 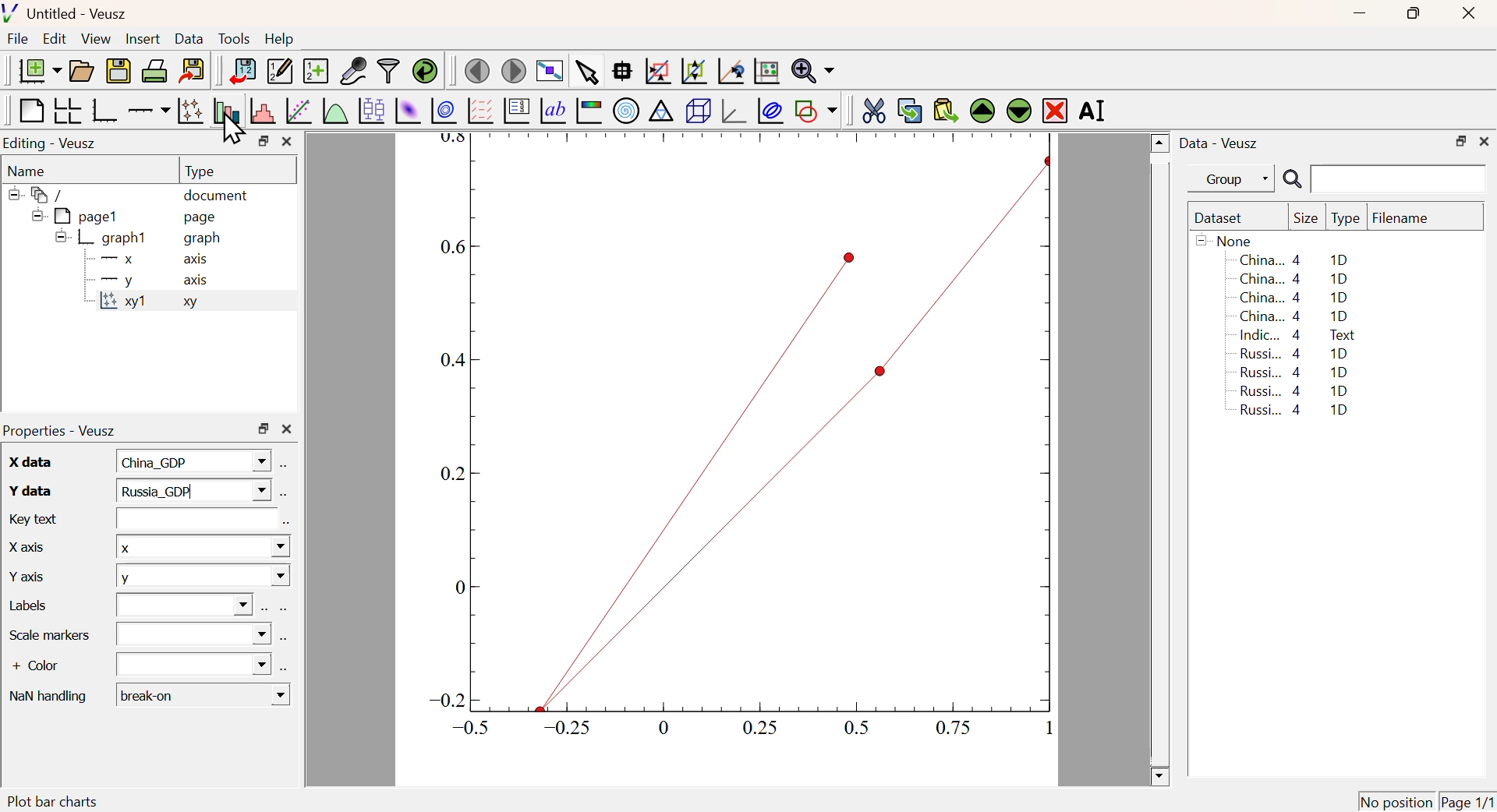 I want to click on Select using dataset Browser, so click(x=286, y=466).